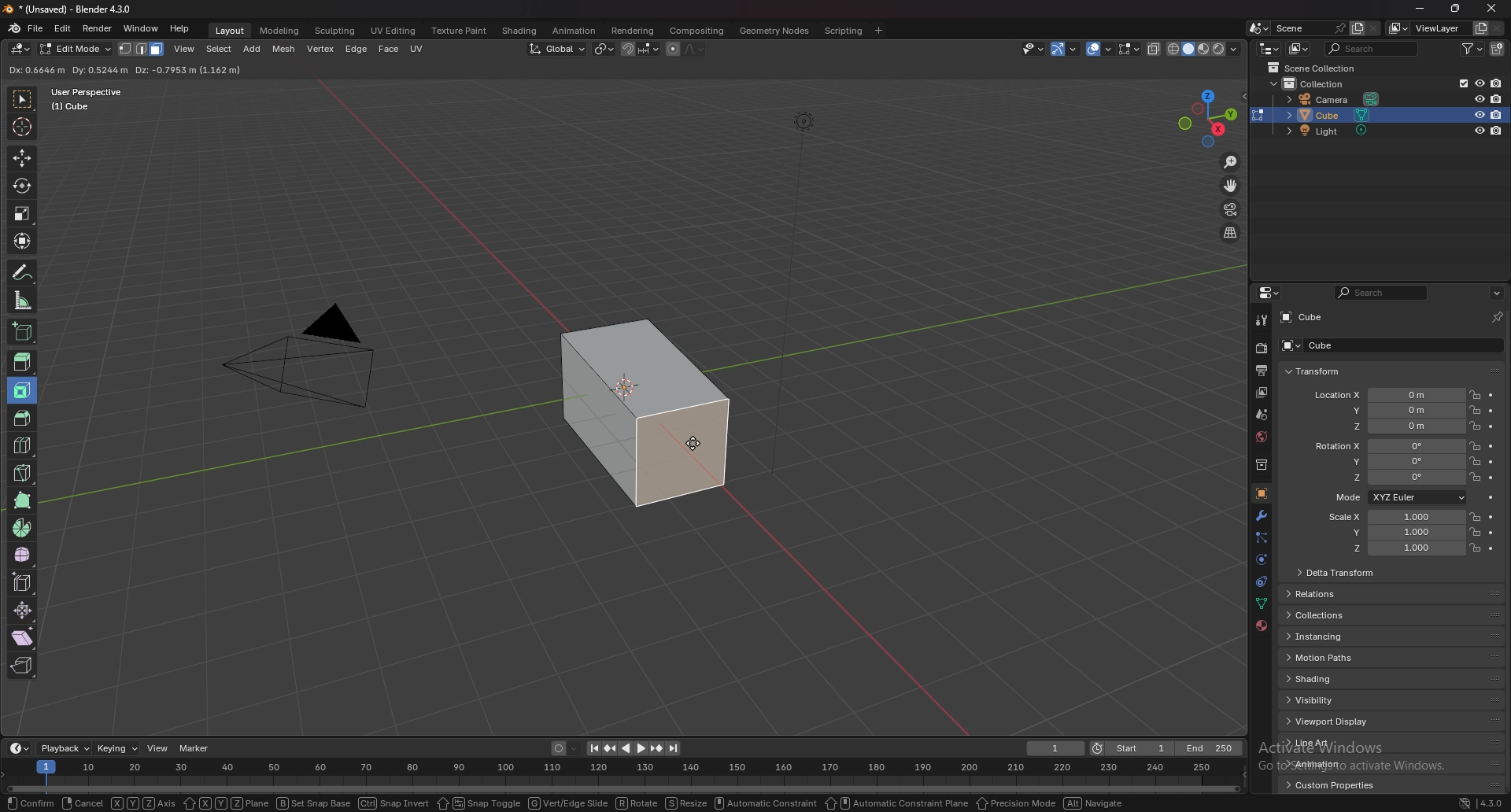 This screenshot has height=812, width=1511. Describe the element at coordinates (395, 803) in the screenshot. I see `snap invert` at that location.